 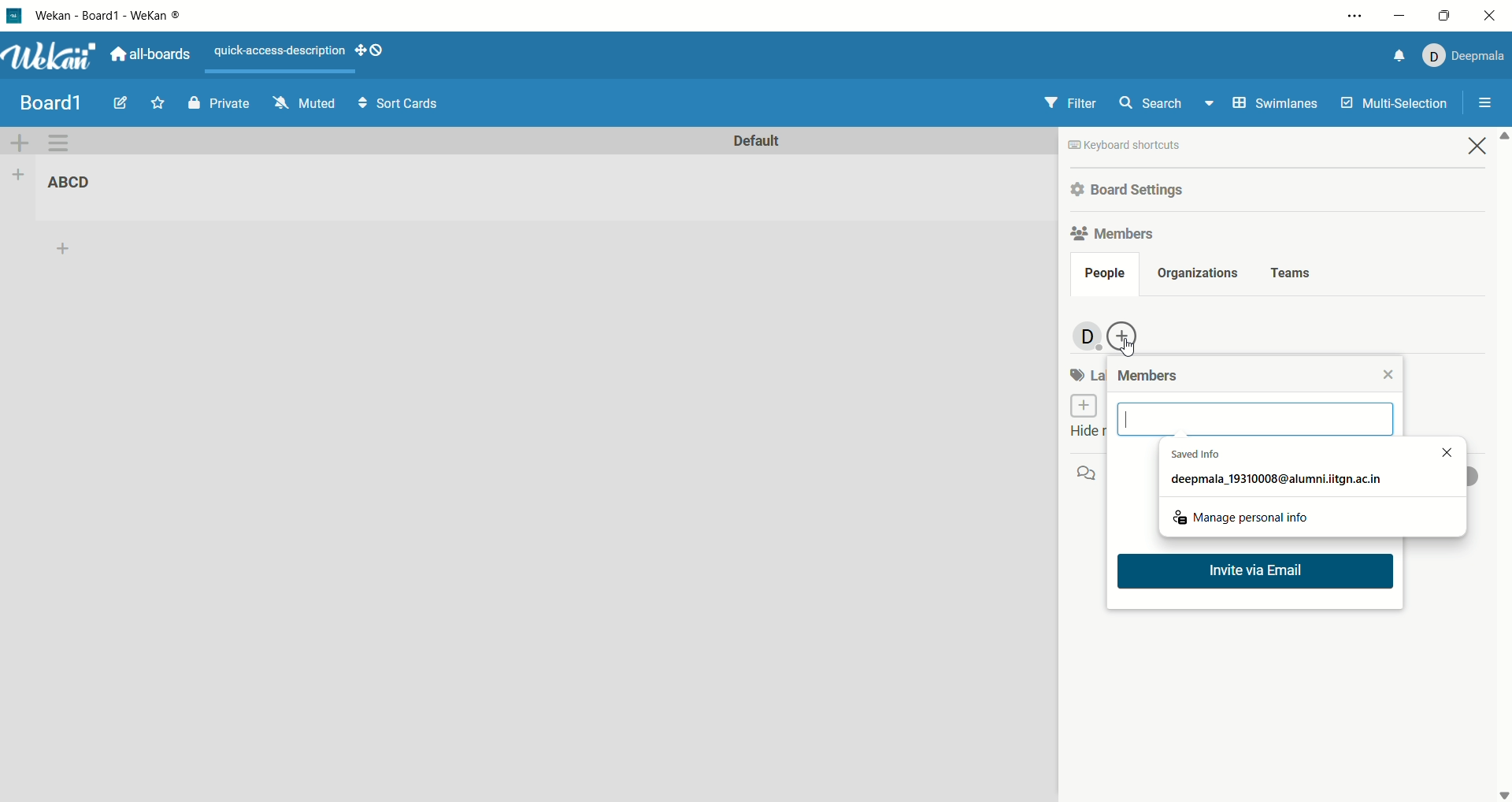 What do you see at coordinates (1388, 373) in the screenshot?
I see `close` at bounding box center [1388, 373].